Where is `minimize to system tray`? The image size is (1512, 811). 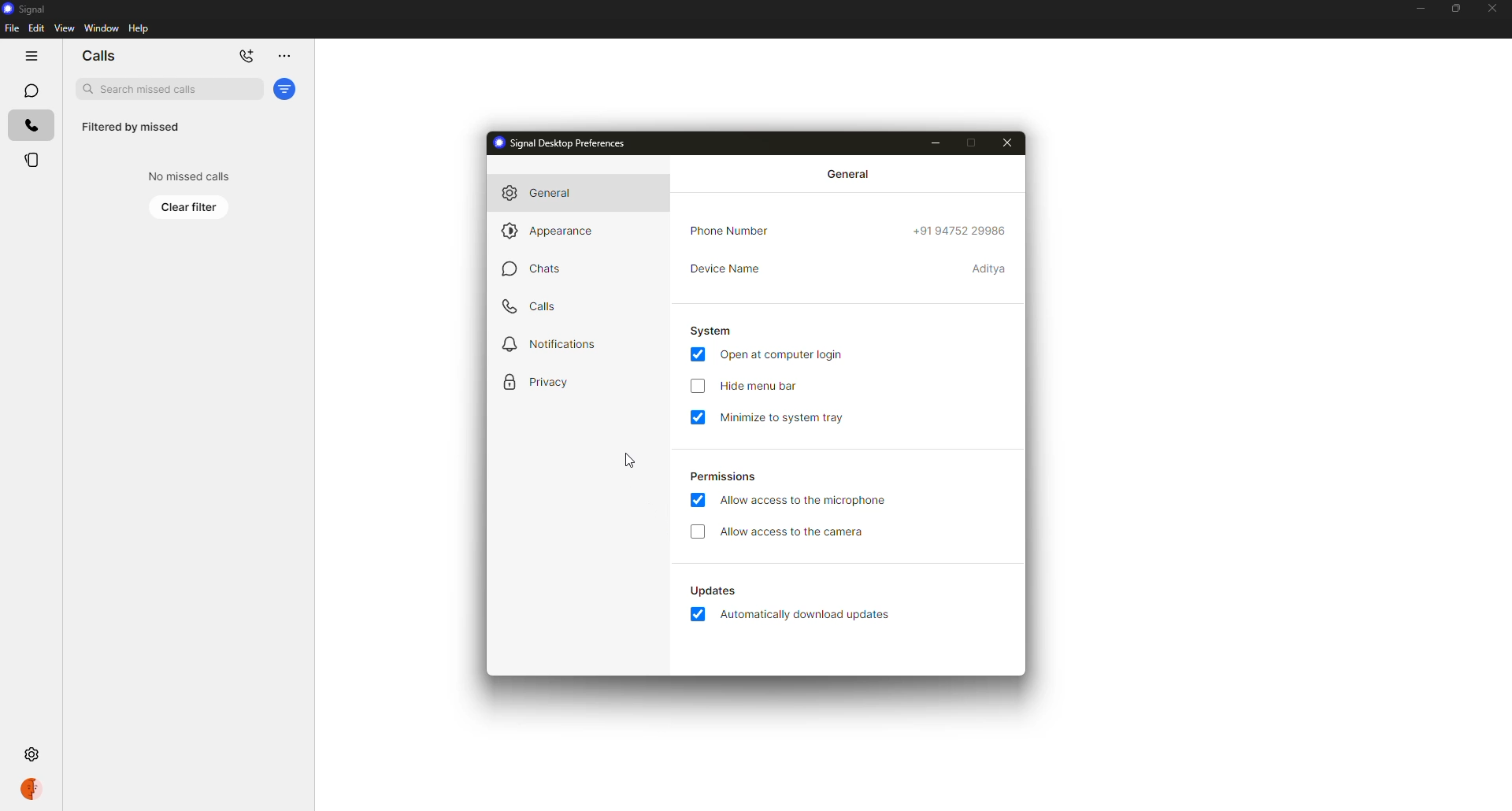 minimize to system tray is located at coordinates (784, 417).